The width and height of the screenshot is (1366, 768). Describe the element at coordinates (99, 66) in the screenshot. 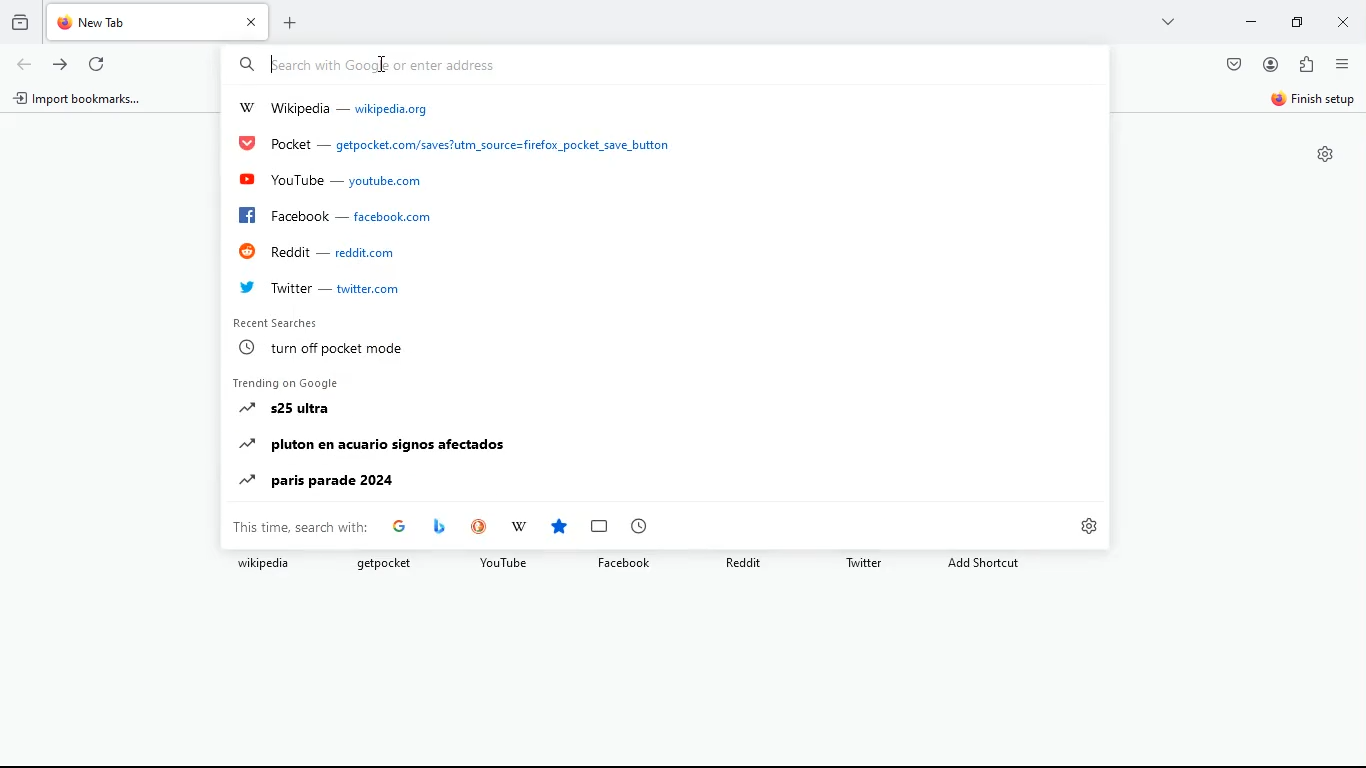

I see `refresh` at that location.